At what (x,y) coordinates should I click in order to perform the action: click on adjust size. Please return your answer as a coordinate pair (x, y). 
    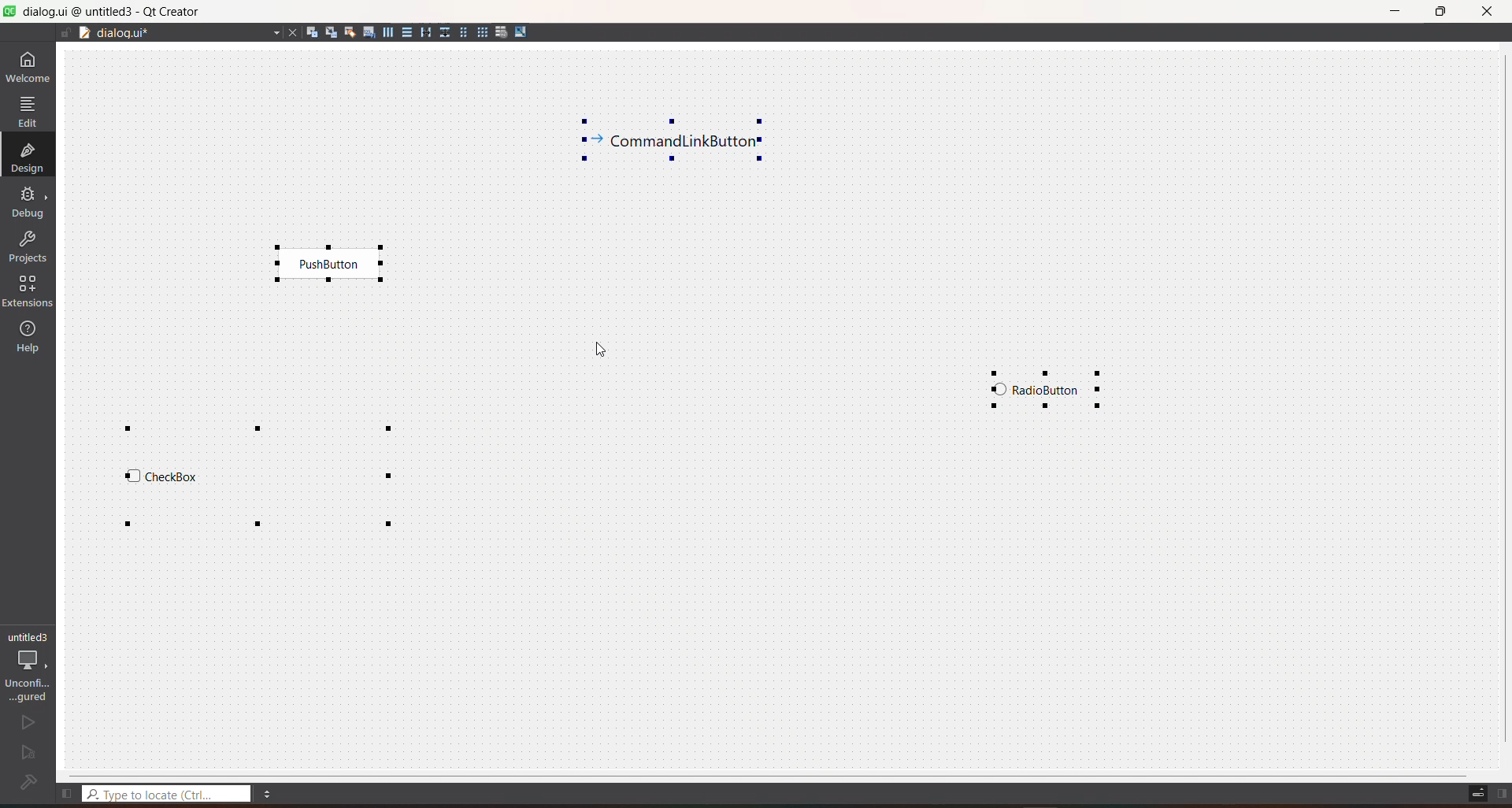
    Looking at the image, I should click on (521, 33).